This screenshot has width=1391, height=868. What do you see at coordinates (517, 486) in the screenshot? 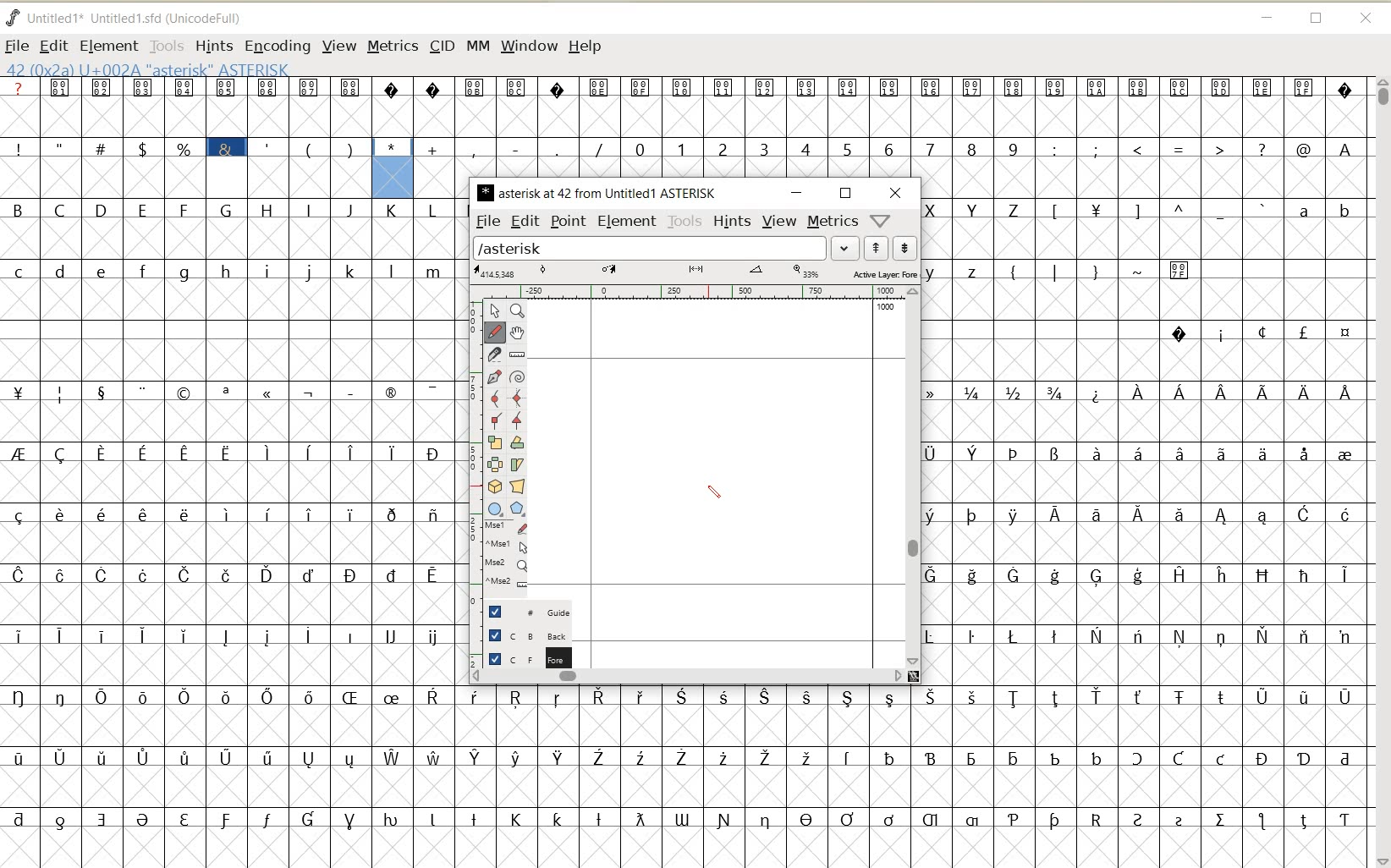
I see `perform a perspective transformation on the selection` at bounding box center [517, 486].